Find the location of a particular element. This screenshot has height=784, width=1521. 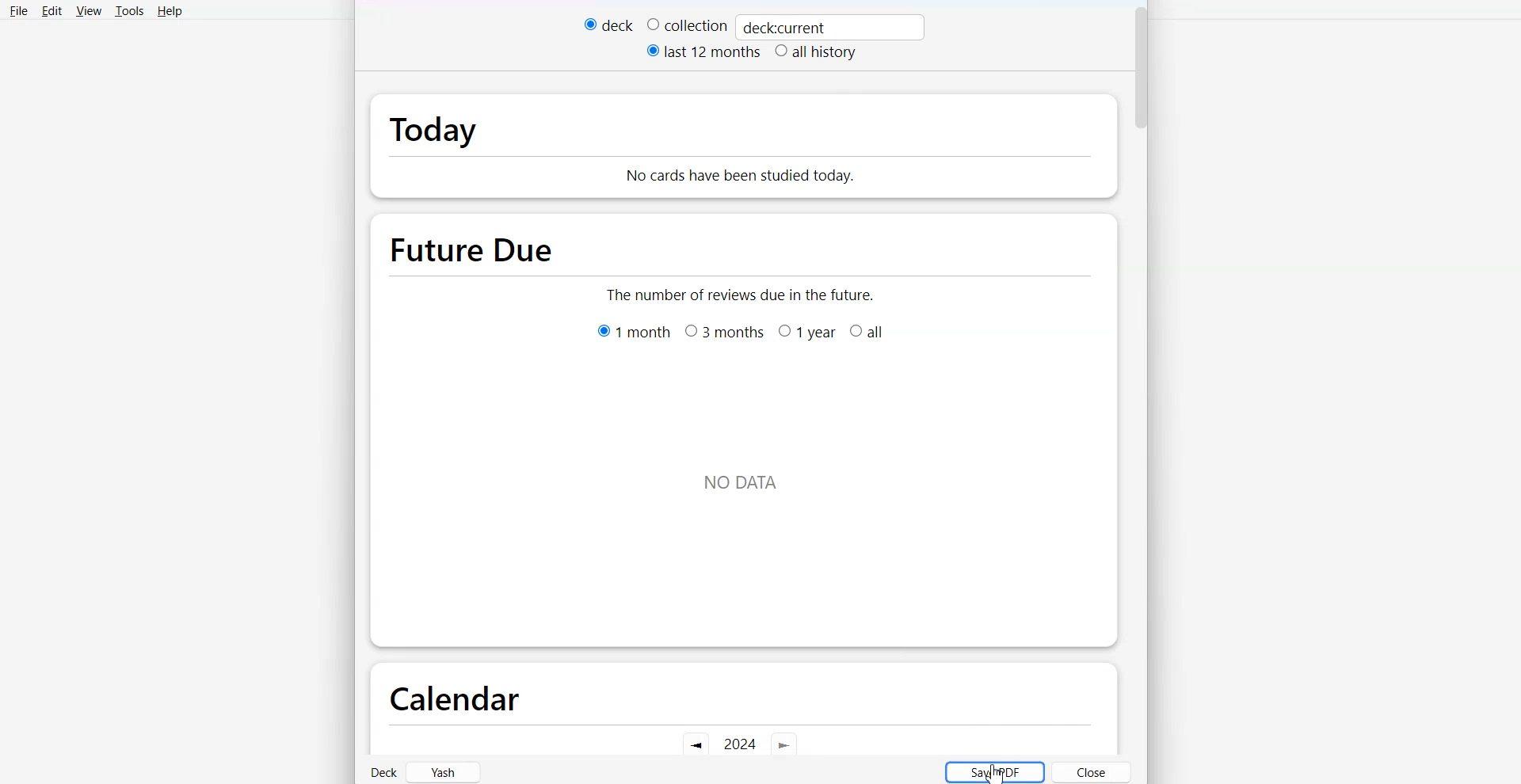

1 Year is located at coordinates (806, 332).